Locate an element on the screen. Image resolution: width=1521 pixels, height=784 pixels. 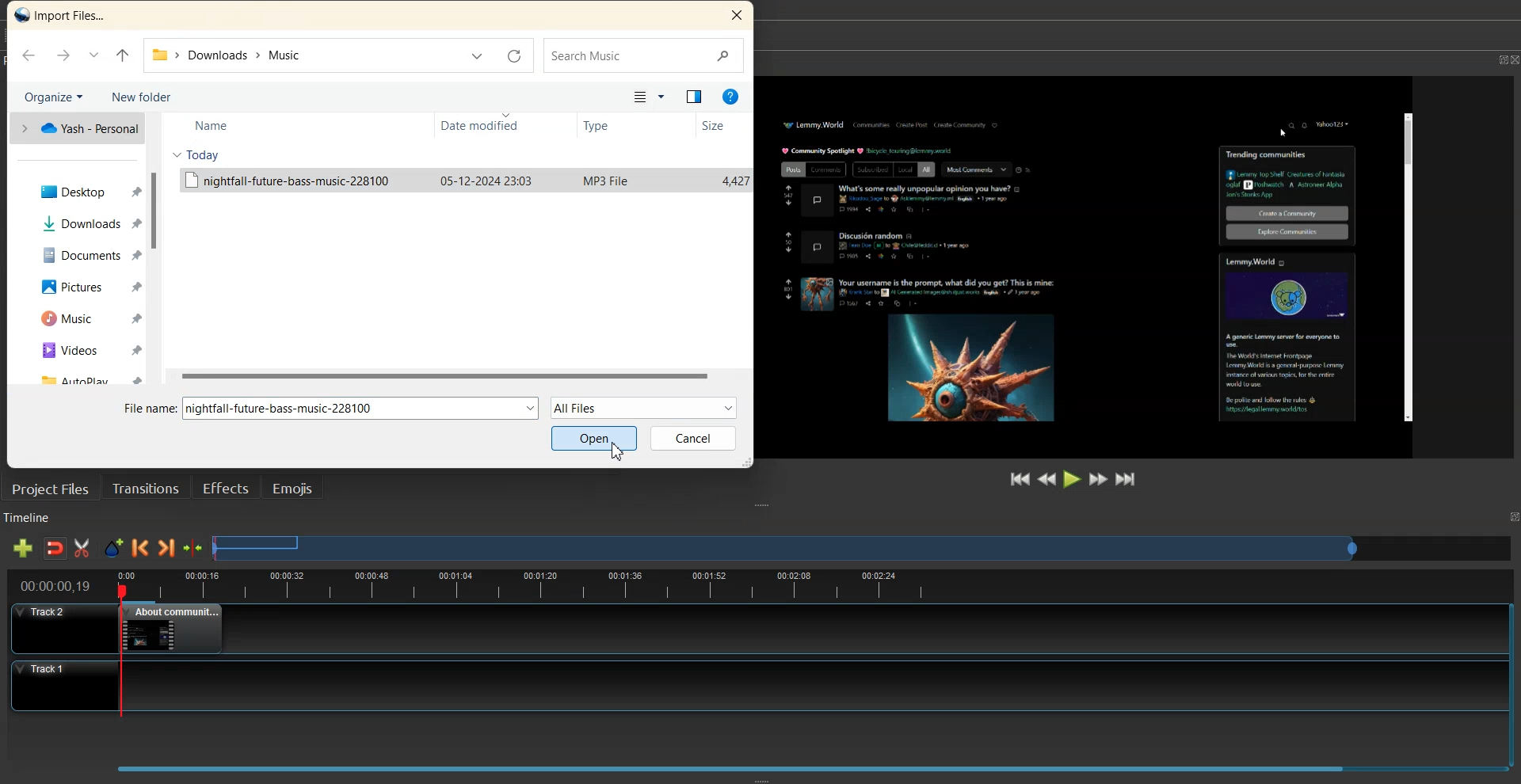
Slider is located at coordinates (757, 763).